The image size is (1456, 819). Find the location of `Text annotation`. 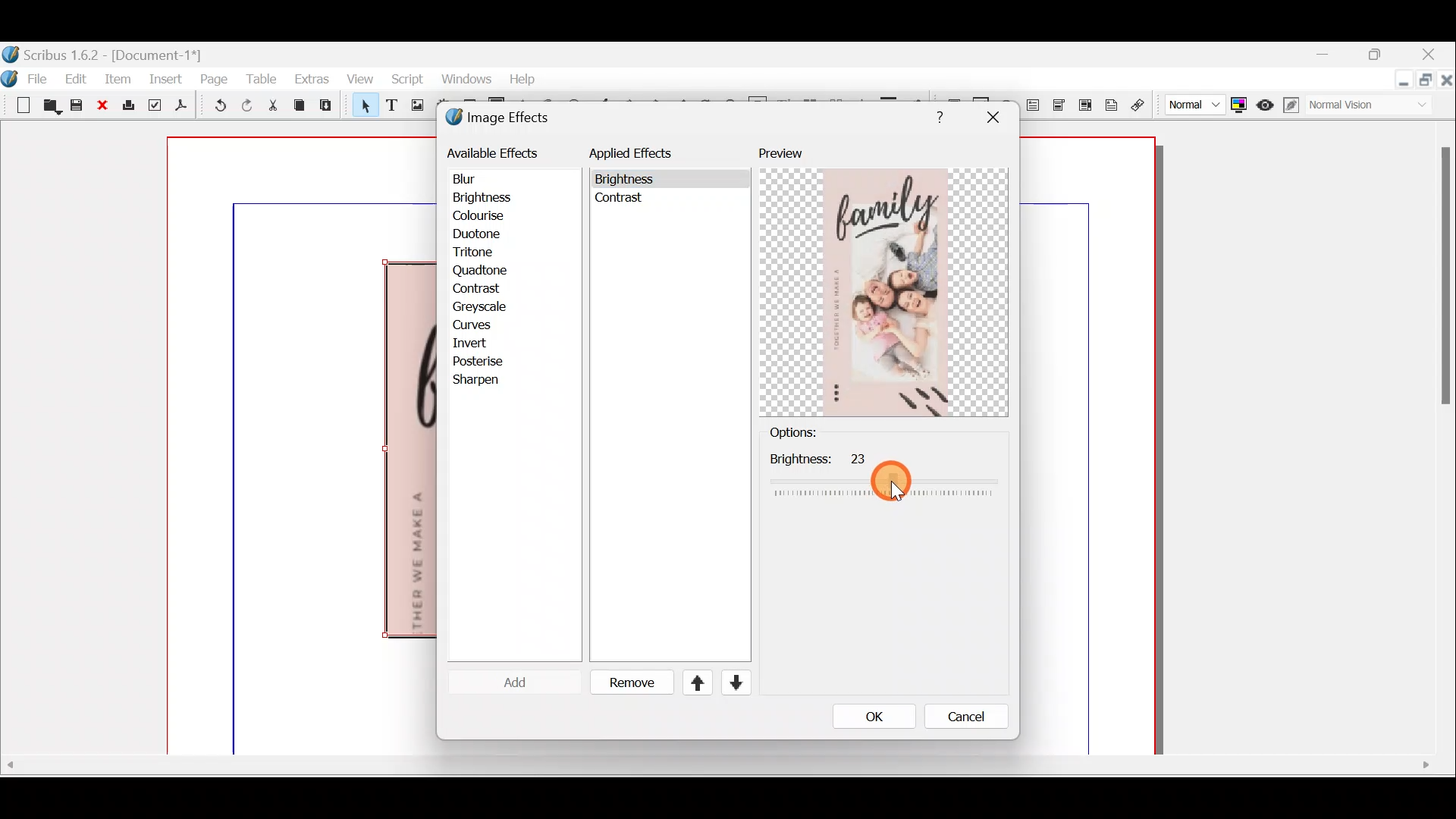

Text annotation is located at coordinates (1111, 103).